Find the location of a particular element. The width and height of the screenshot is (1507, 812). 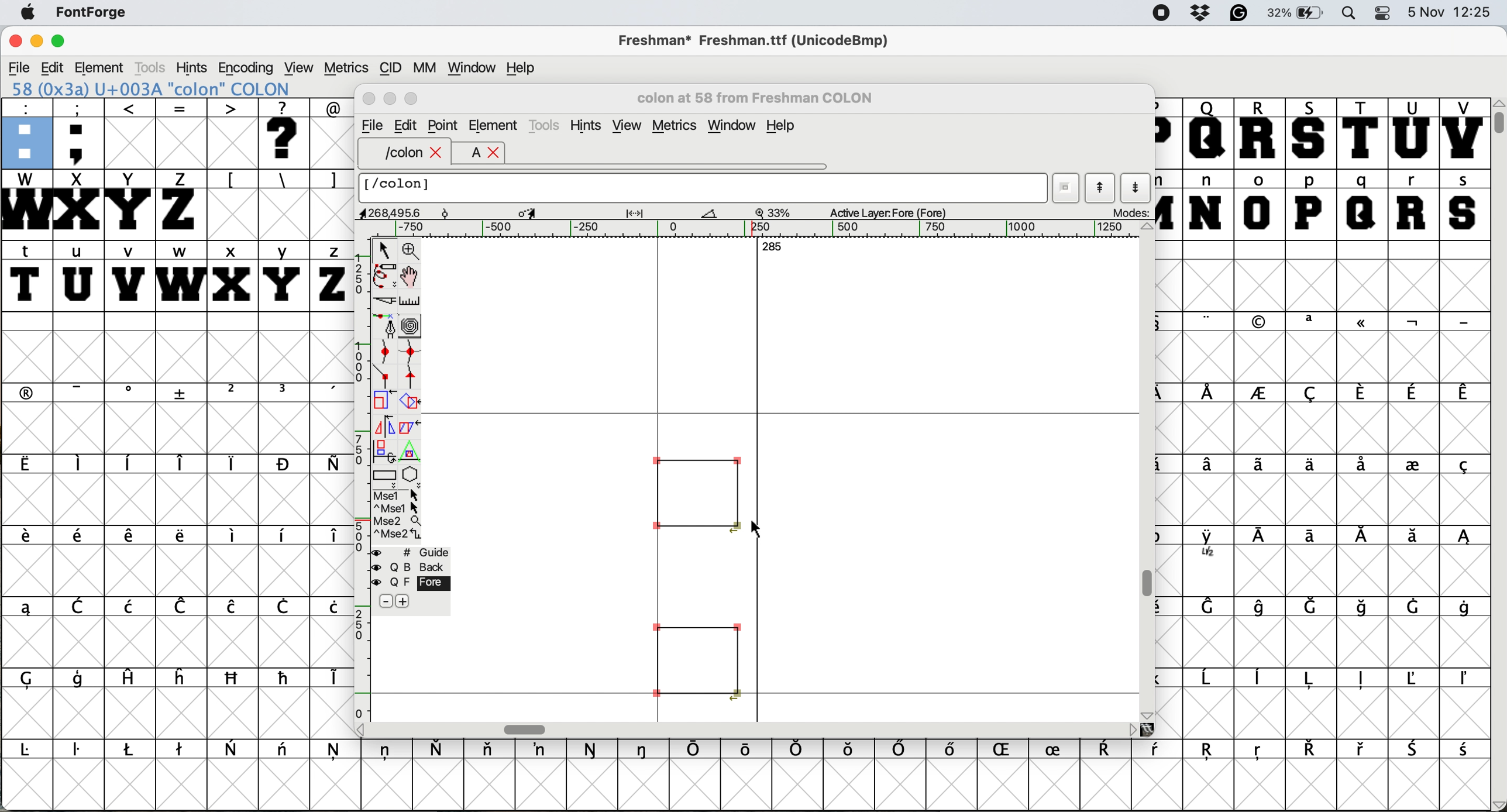

grammarly is located at coordinates (1242, 15).